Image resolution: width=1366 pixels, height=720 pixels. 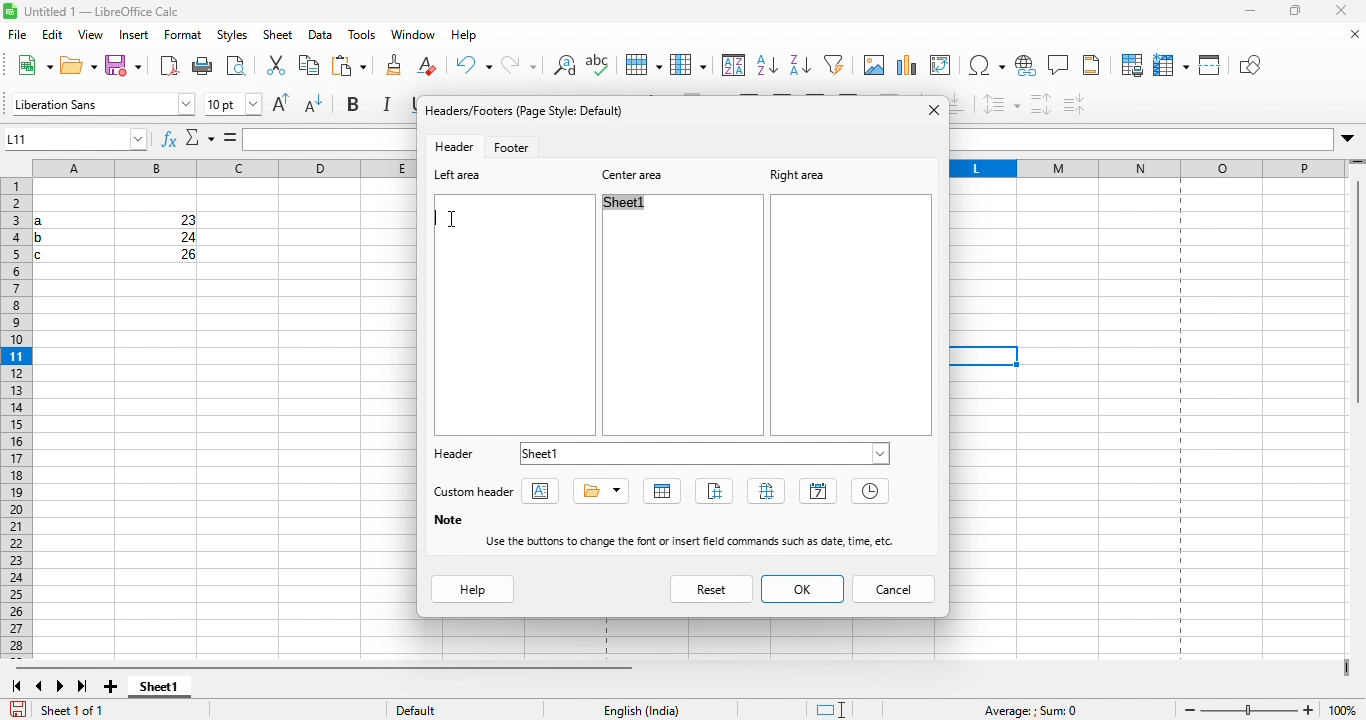 What do you see at coordinates (986, 66) in the screenshot?
I see `special character` at bounding box center [986, 66].